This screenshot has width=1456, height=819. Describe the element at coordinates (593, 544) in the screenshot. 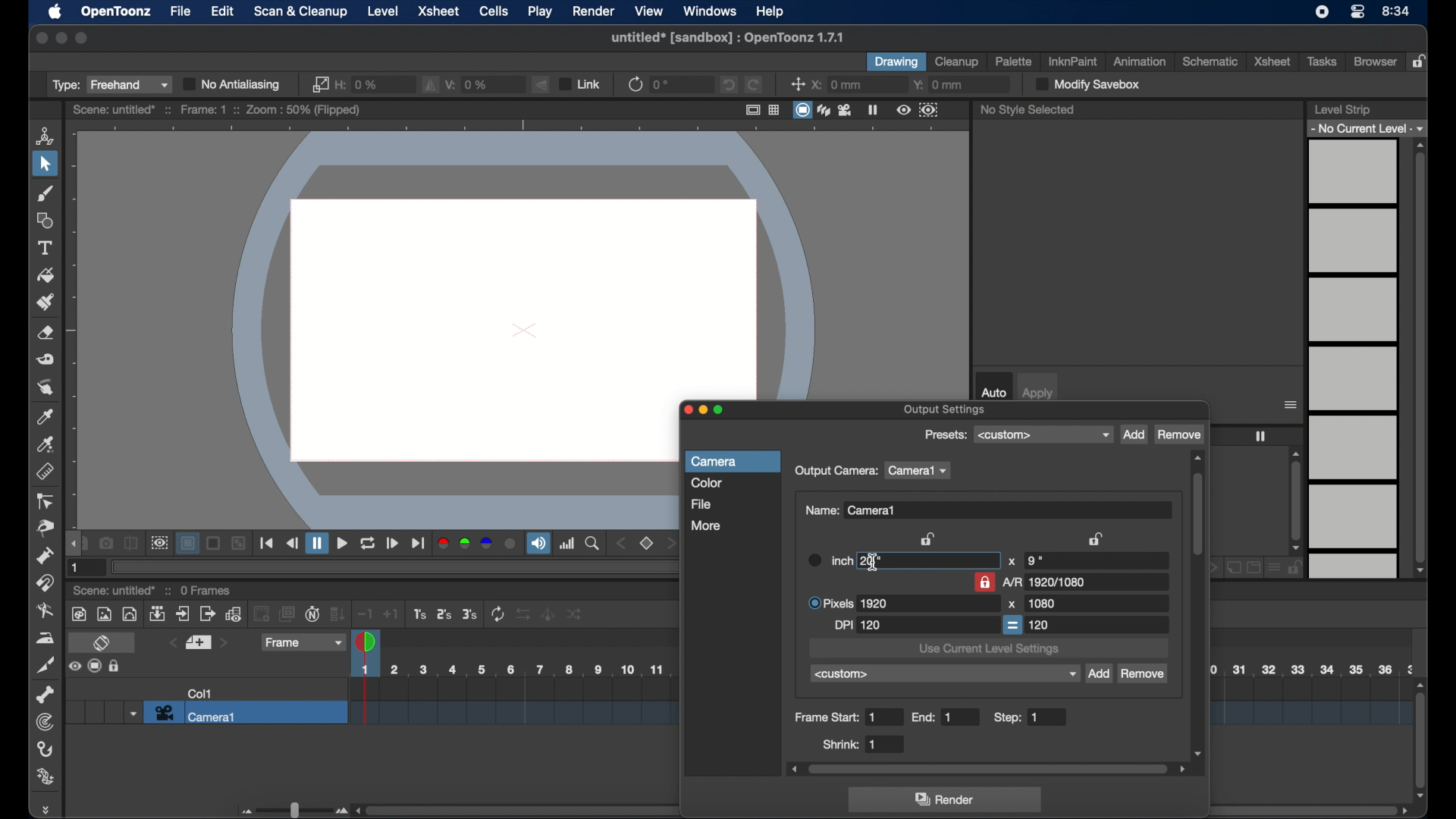

I see `zoom` at that location.